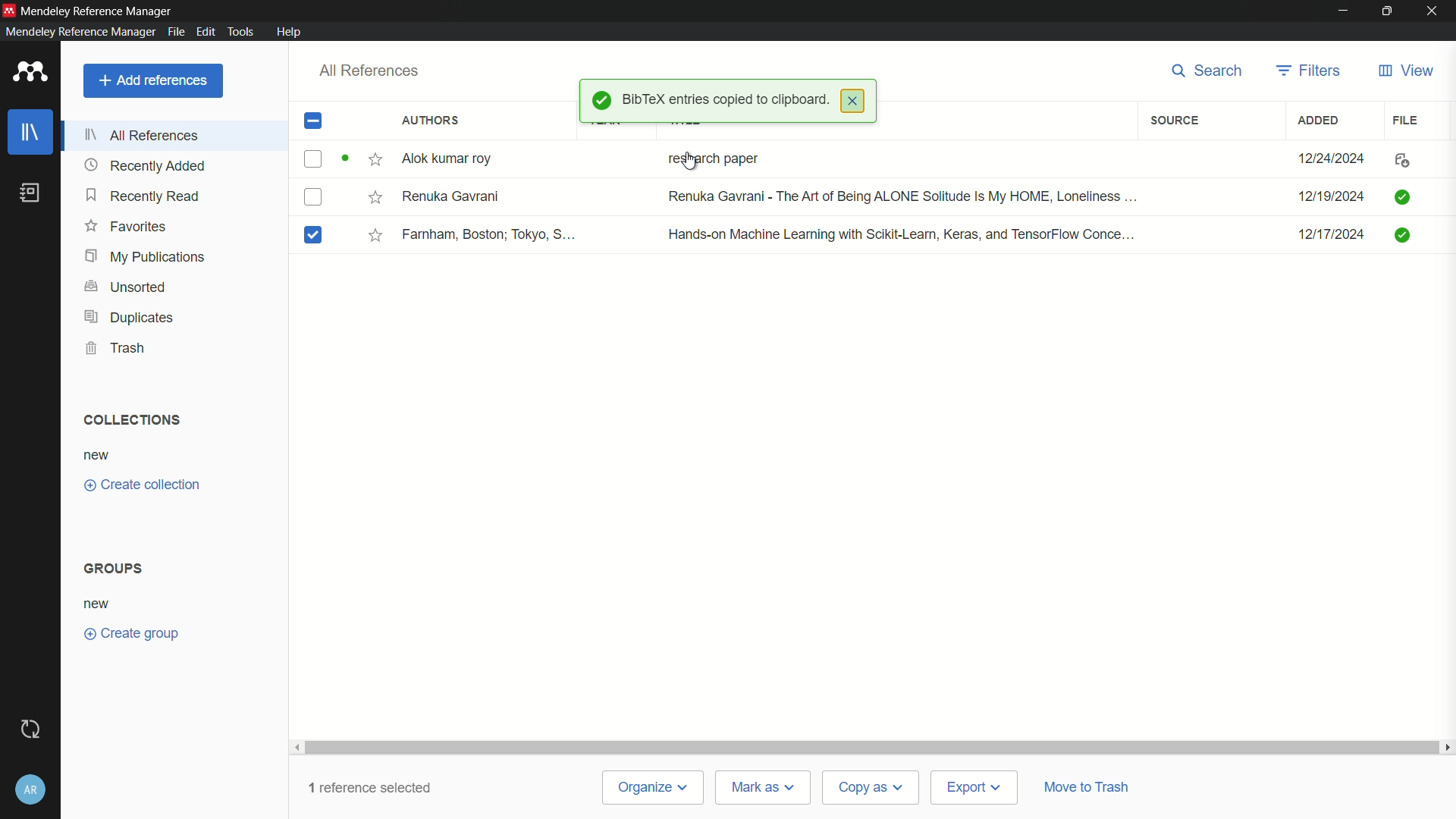  What do you see at coordinates (318, 236) in the screenshot?
I see `book is selected` at bounding box center [318, 236].